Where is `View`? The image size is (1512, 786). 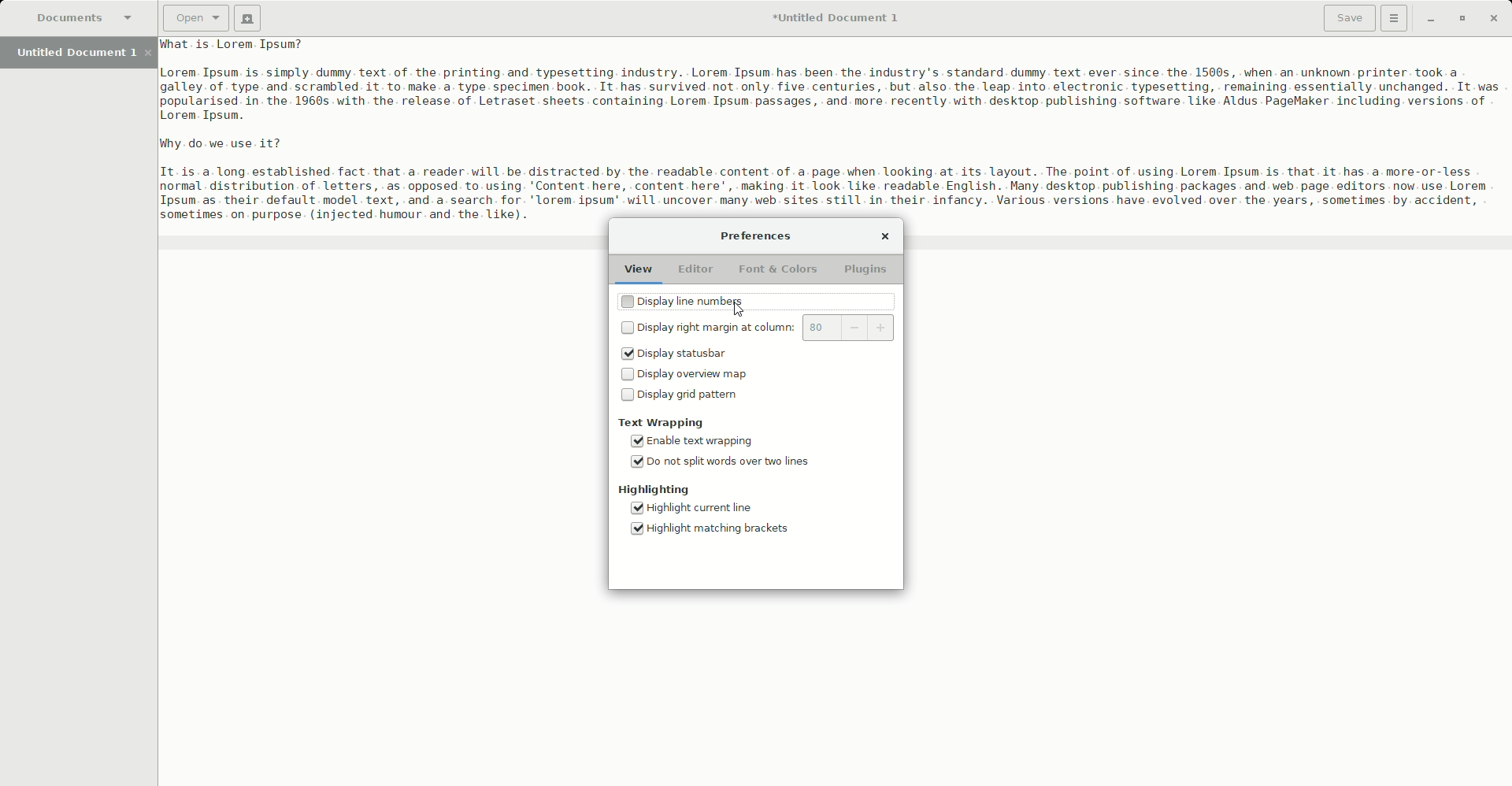
View is located at coordinates (636, 271).